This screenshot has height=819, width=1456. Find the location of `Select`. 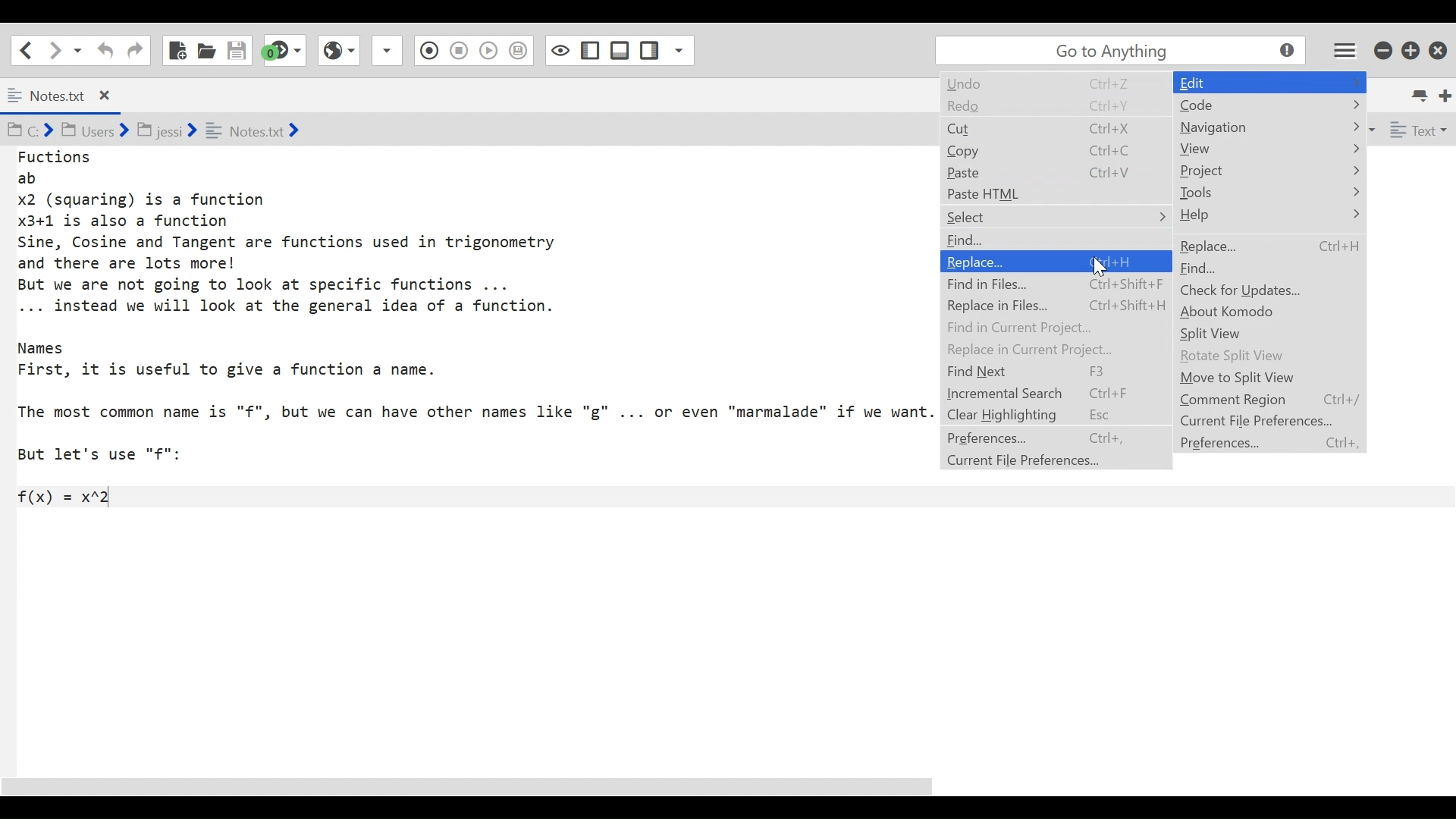

Select is located at coordinates (1039, 216).